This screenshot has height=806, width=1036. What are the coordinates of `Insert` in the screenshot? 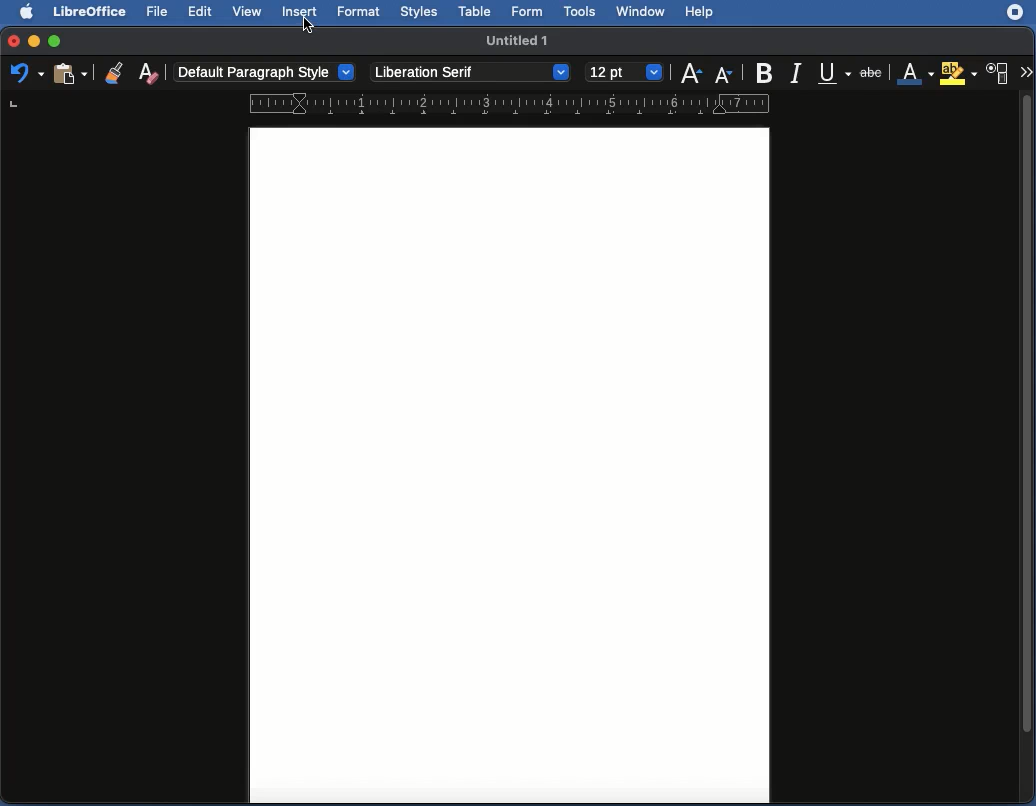 It's located at (298, 11).